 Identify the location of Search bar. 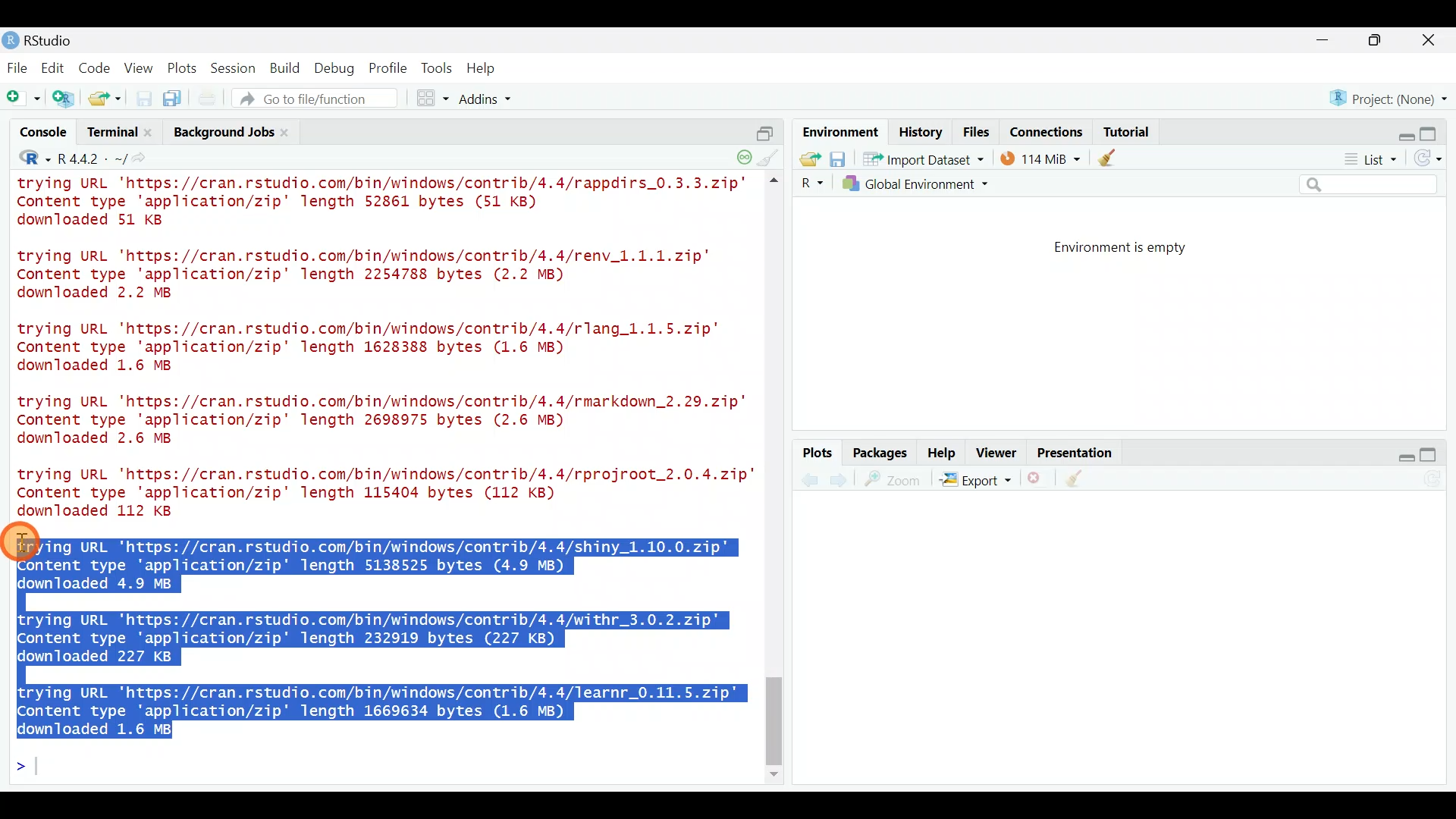
(1371, 185).